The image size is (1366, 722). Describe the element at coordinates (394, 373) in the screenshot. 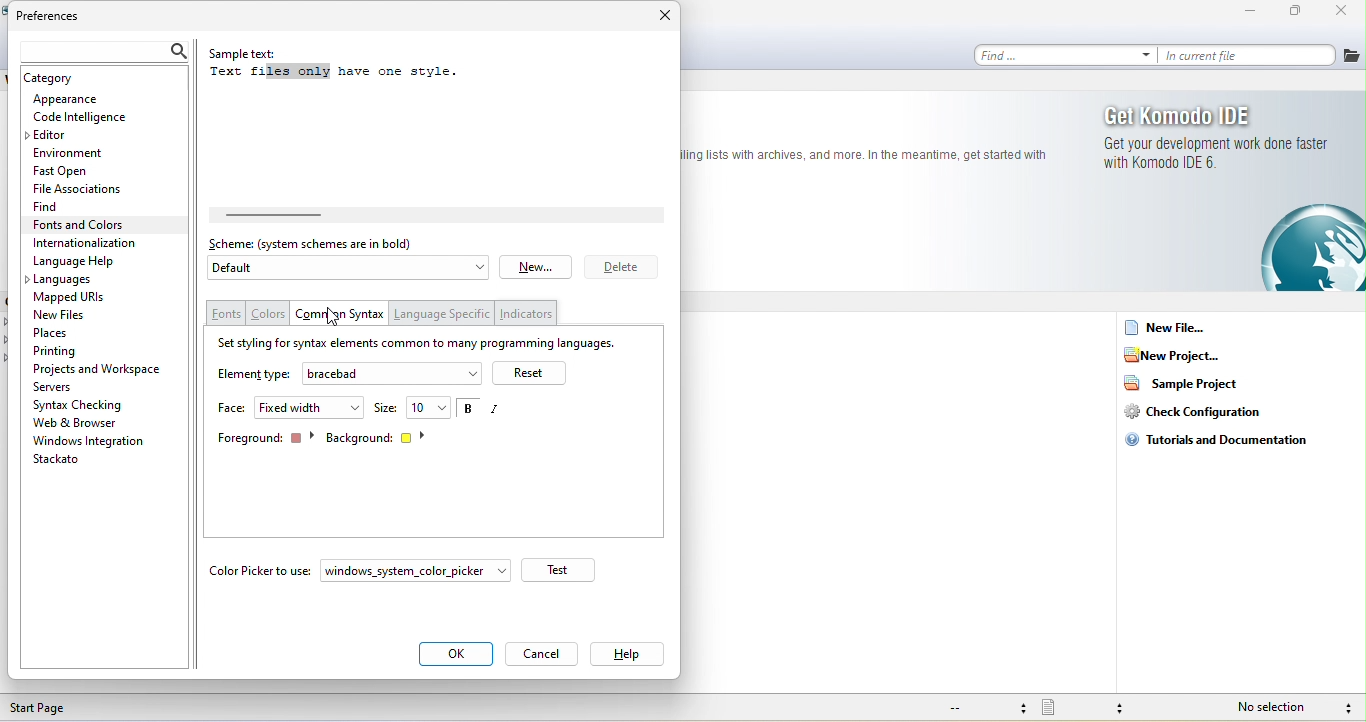

I see `bracebad` at that location.